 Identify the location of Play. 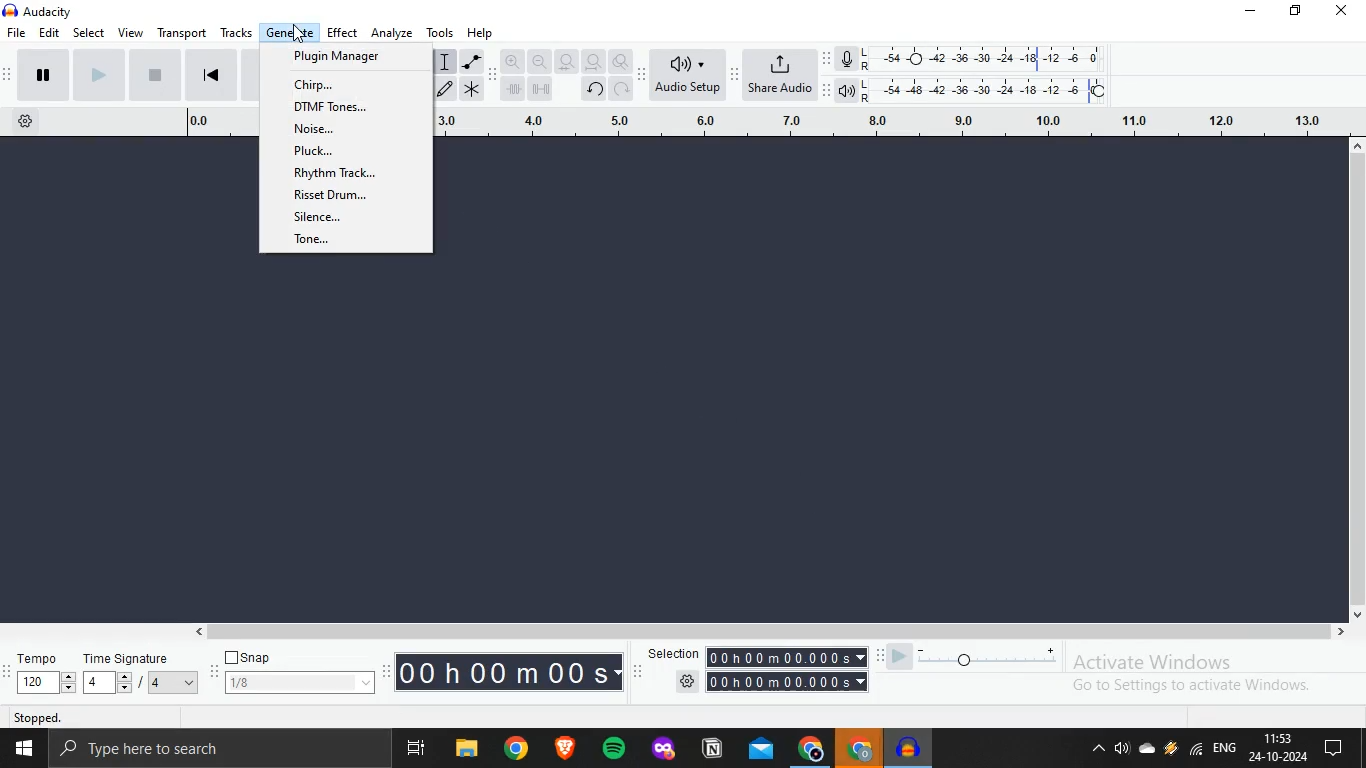
(34, 76).